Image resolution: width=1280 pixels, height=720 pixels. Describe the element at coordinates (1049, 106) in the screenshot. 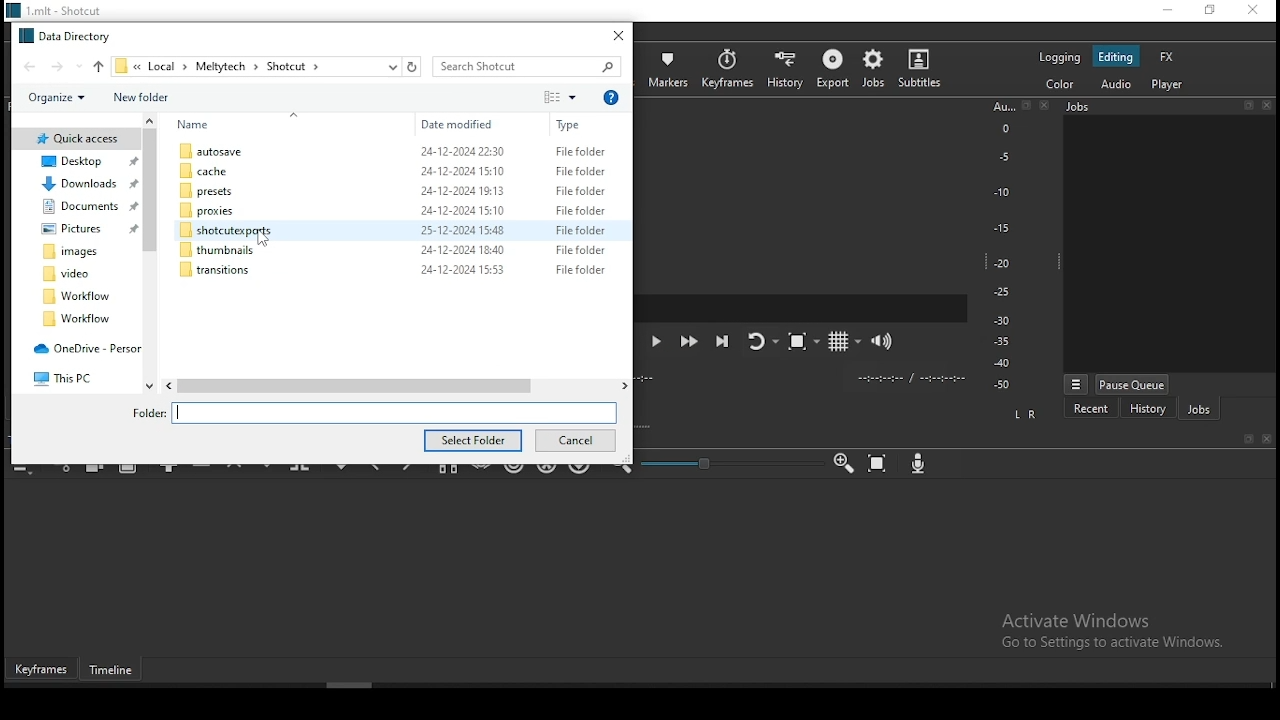

I see `close` at that location.